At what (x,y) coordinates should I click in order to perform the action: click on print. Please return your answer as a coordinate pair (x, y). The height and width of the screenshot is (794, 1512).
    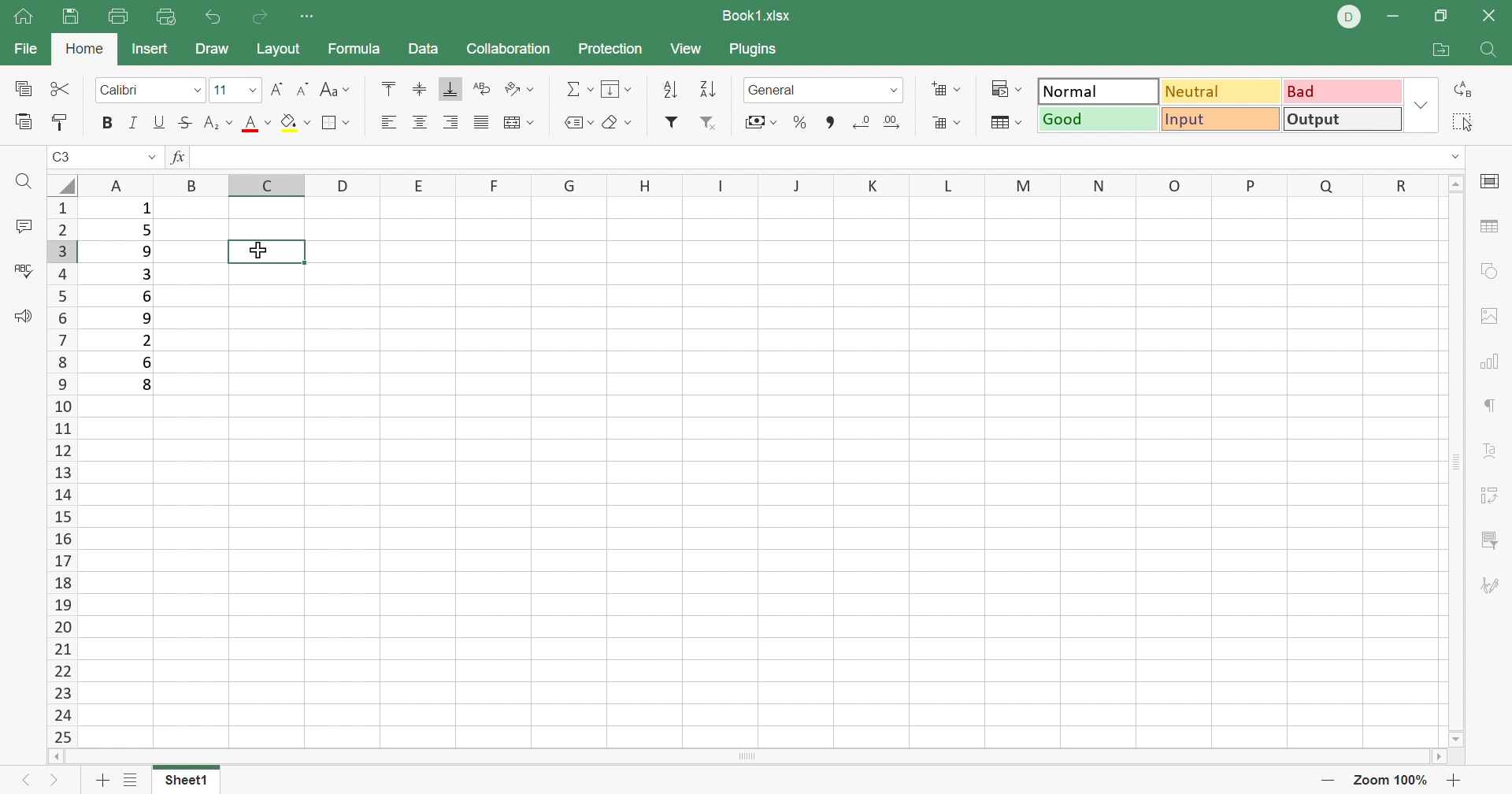
    Looking at the image, I should click on (120, 17).